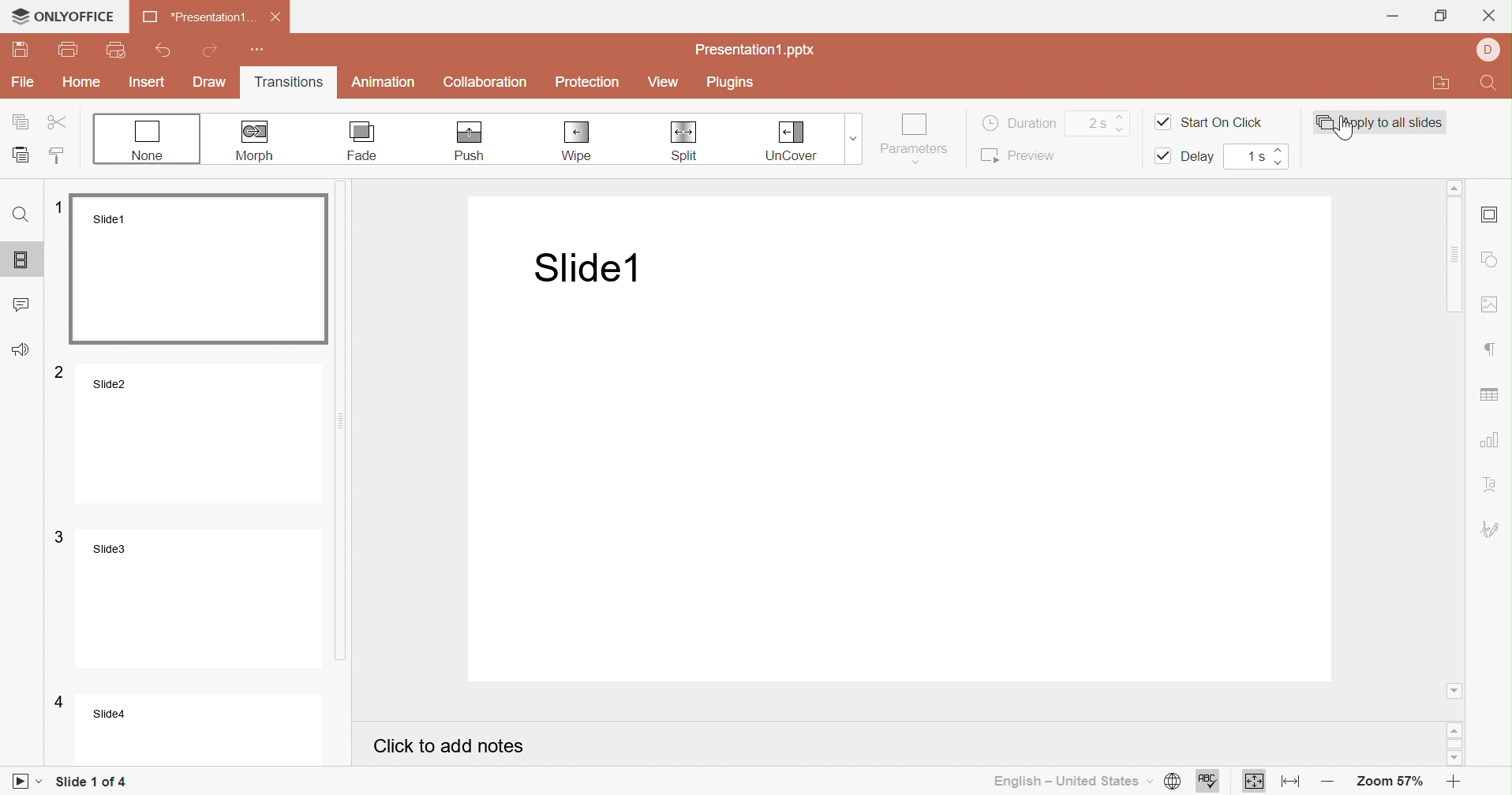 Image resolution: width=1512 pixels, height=795 pixels. What do you see at coordinates (1494, 530) in the screenshot?
I see `Signature` at bounding box center [1494, 530].